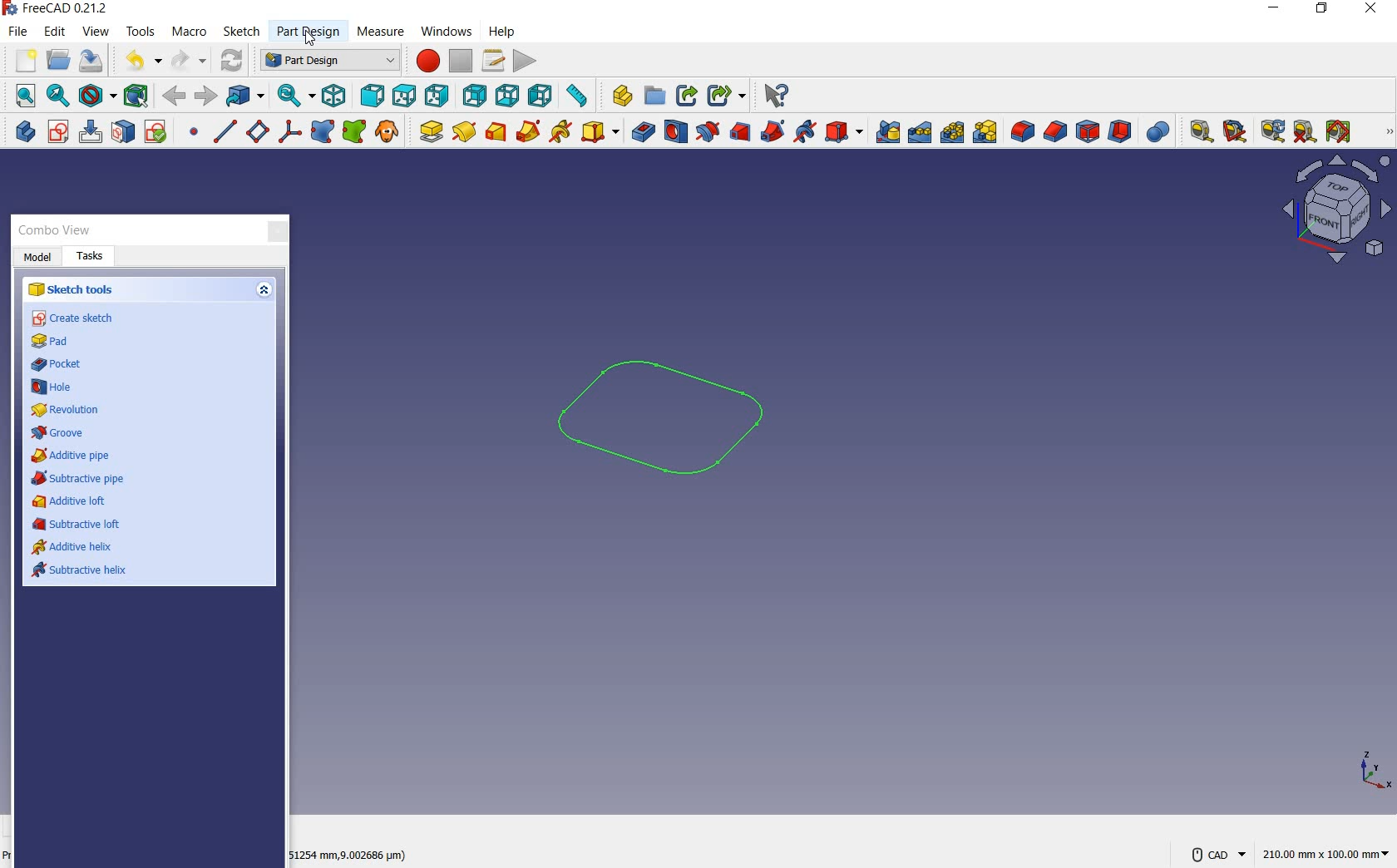 The width and height of the screenshot is (1397, 868). What do you see at coordinates (58, 431) in the screenshot?
I see `groove` at bounding box center [58, 431].